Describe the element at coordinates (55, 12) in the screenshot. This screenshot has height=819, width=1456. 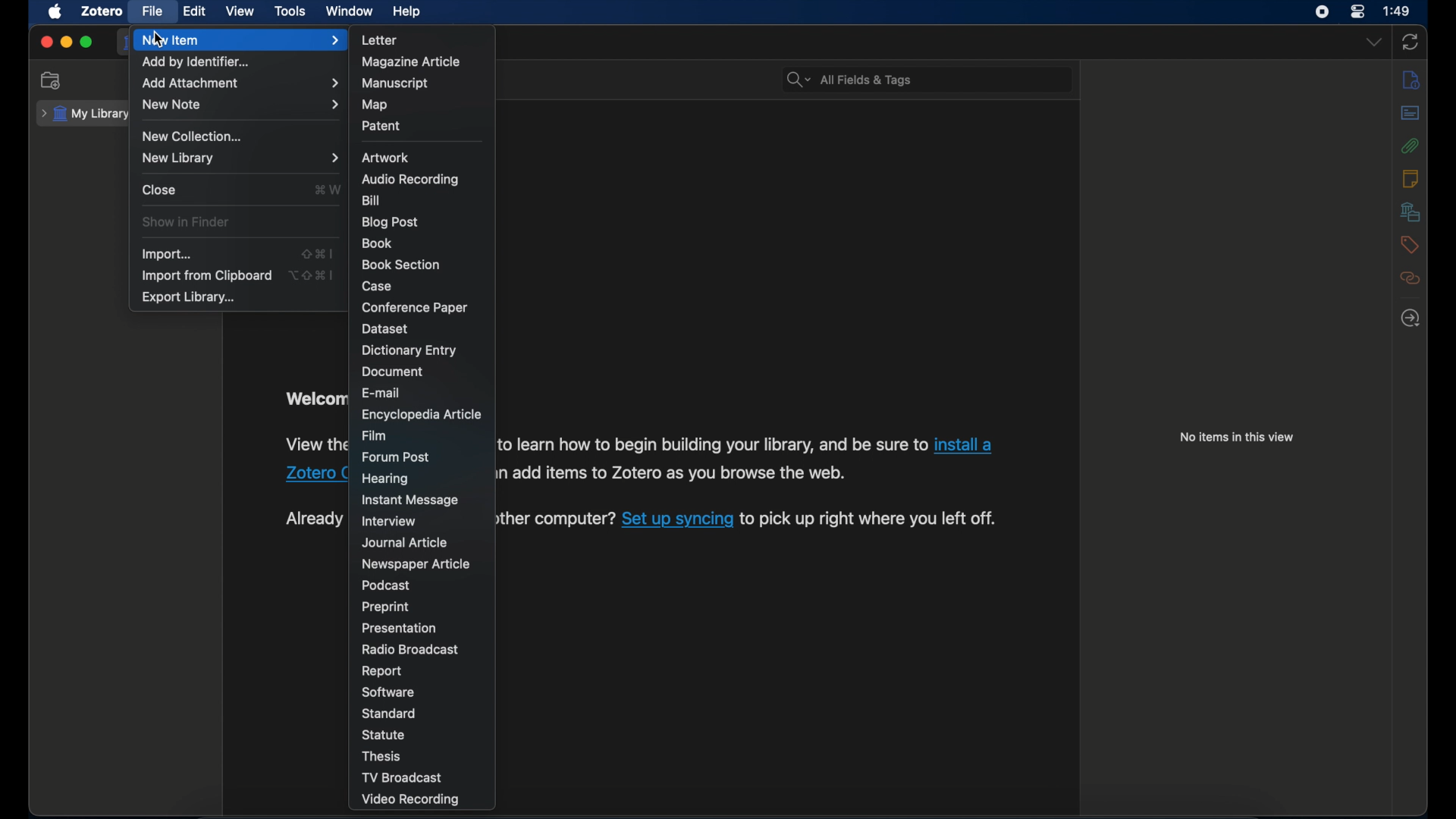
I see `apple` at that location.